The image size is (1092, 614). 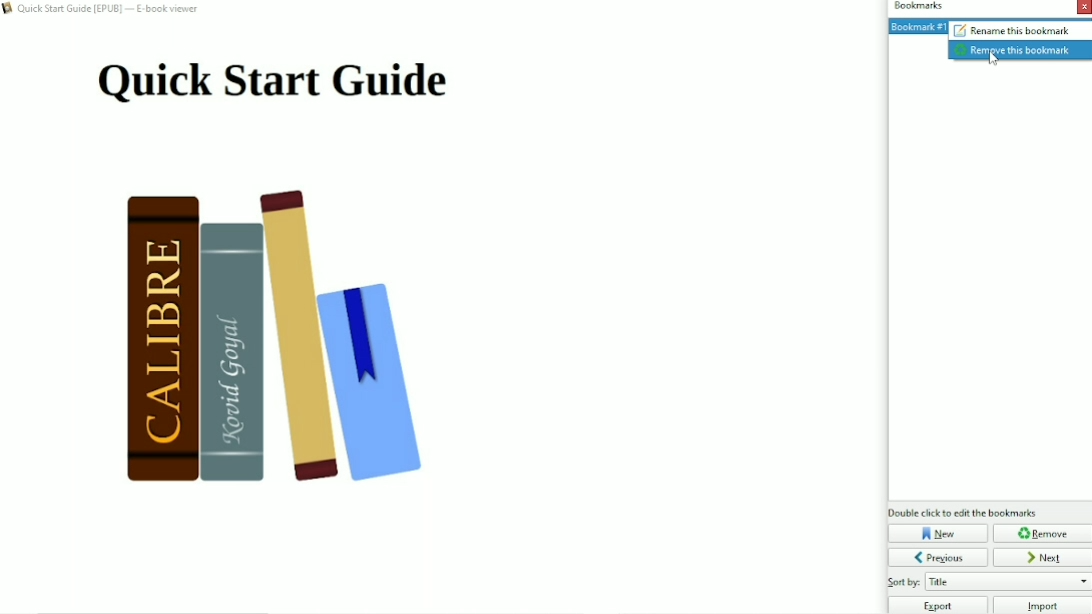 What do you see at coordinates (1008, 582) in the screenshot?
I see `Sort by` at bounding box center [1008, 582].